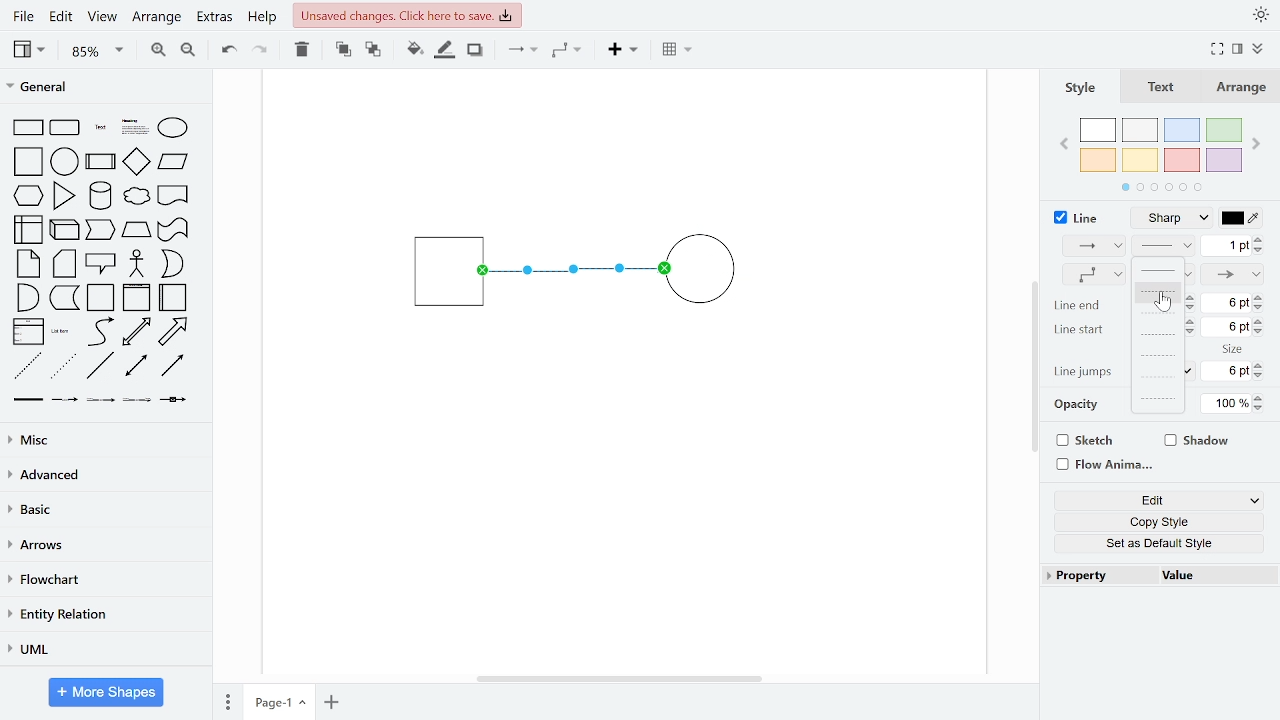  I want to click on entity relation, so click(102, 616).